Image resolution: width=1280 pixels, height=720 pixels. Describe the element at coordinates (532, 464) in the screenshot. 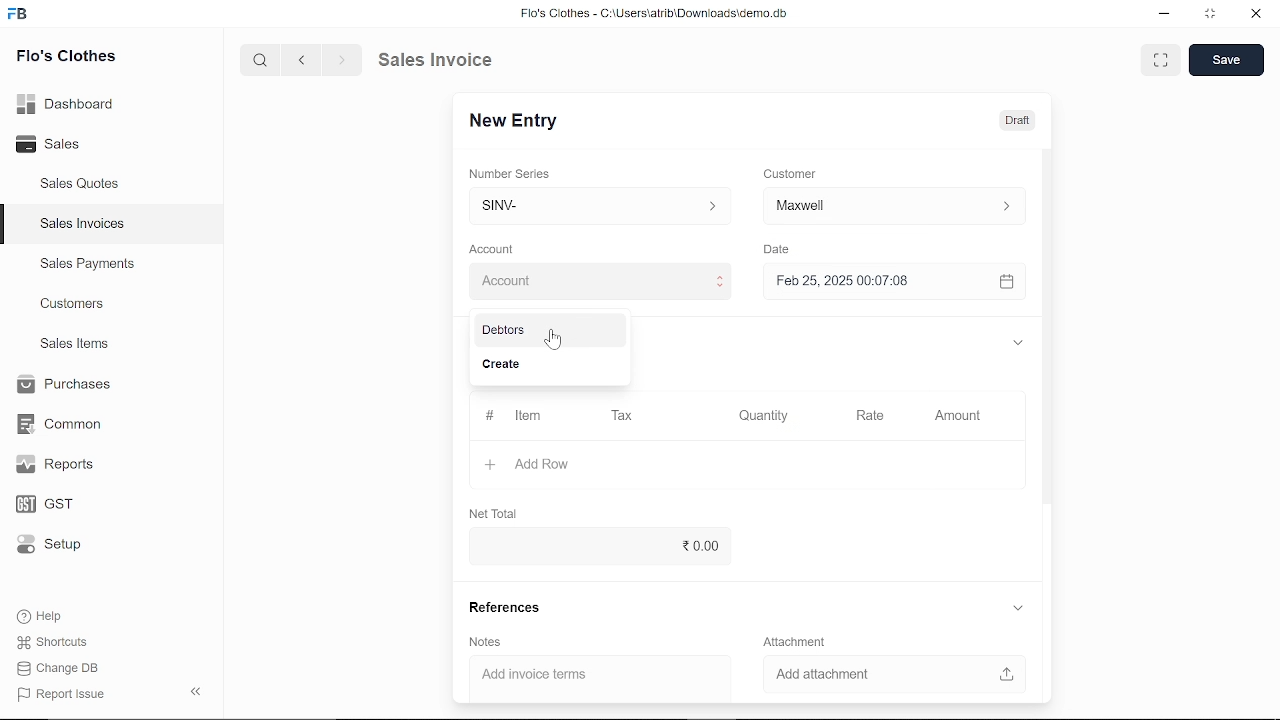

I see `+ Add Row` at that location.